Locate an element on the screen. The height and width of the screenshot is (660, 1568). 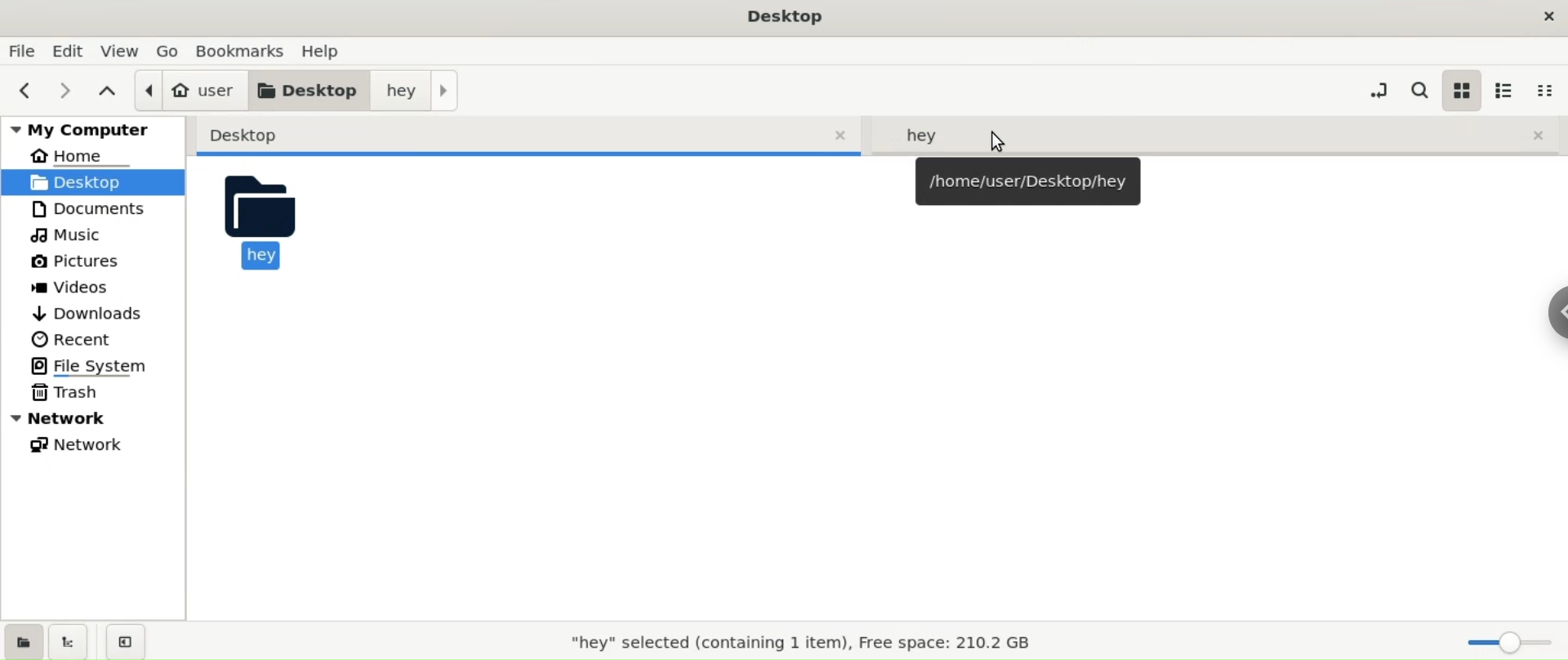
go is located at coordinates (168, 50).